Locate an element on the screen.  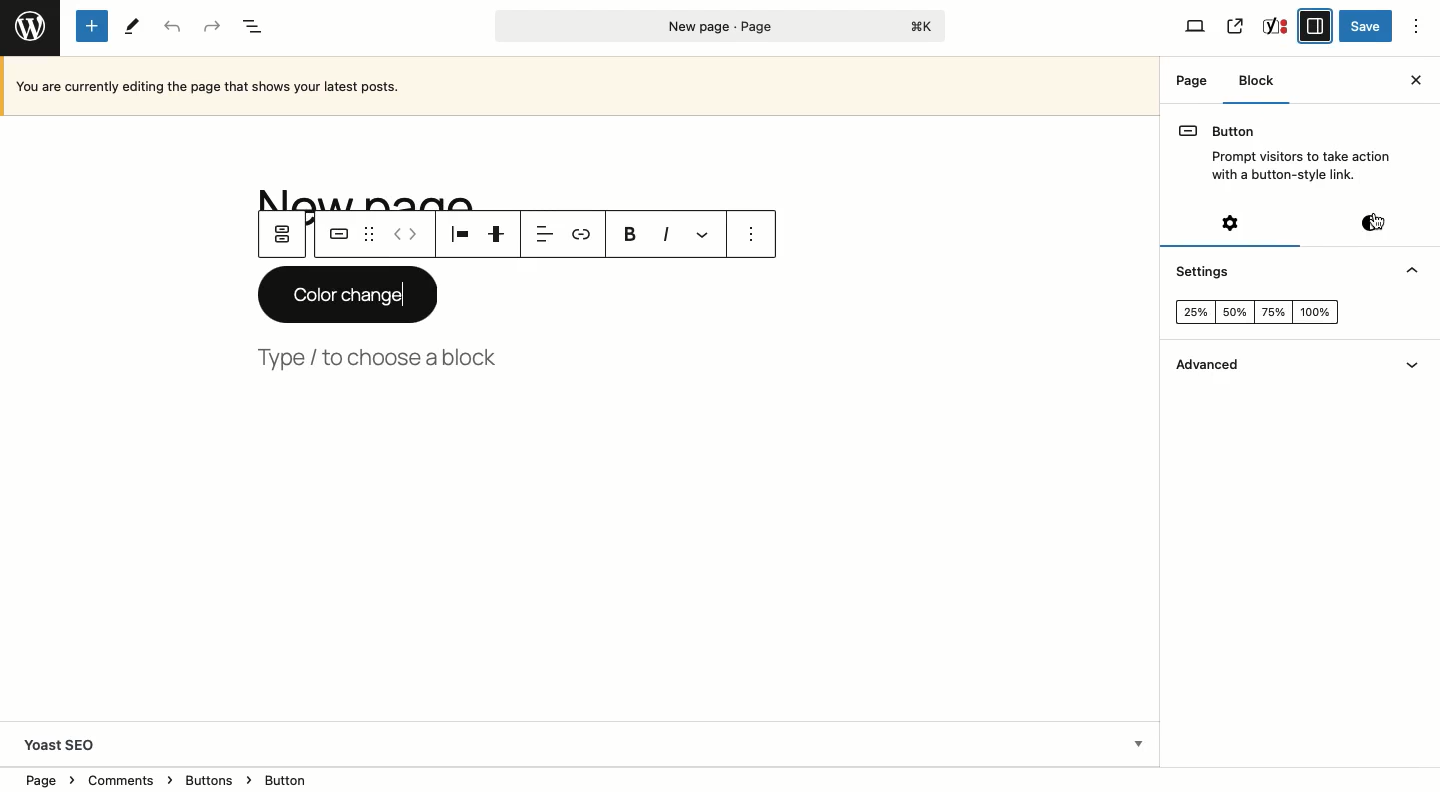
Sidebar is located at coordinates (1316, 25).